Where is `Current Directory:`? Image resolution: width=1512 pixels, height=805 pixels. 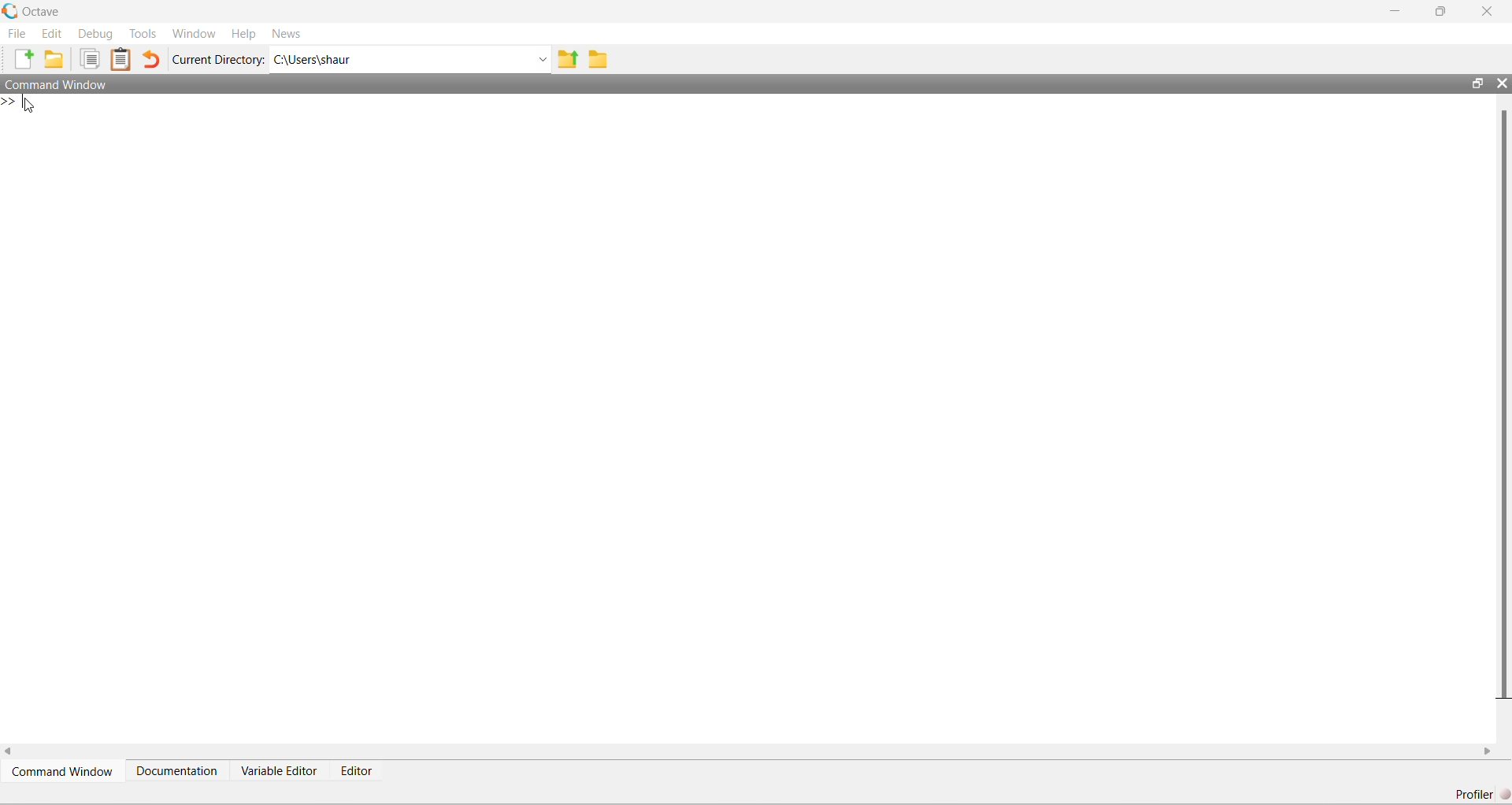 Current Directory: is located at coordinates (219, 60).